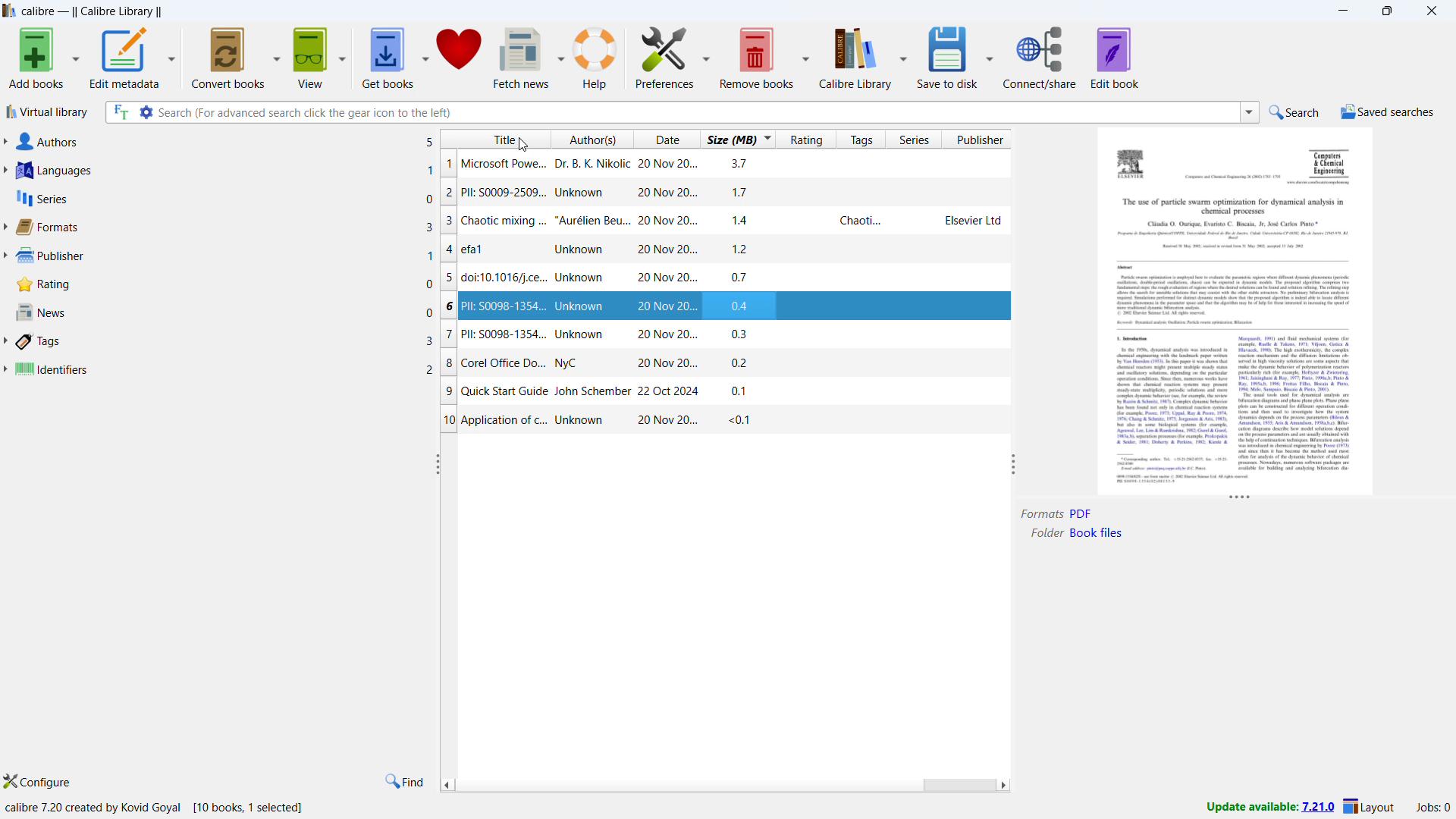 Image resolution: width=1456 pixels, height=819 pixels. I want to click on scroll right, so click(1004, 785).